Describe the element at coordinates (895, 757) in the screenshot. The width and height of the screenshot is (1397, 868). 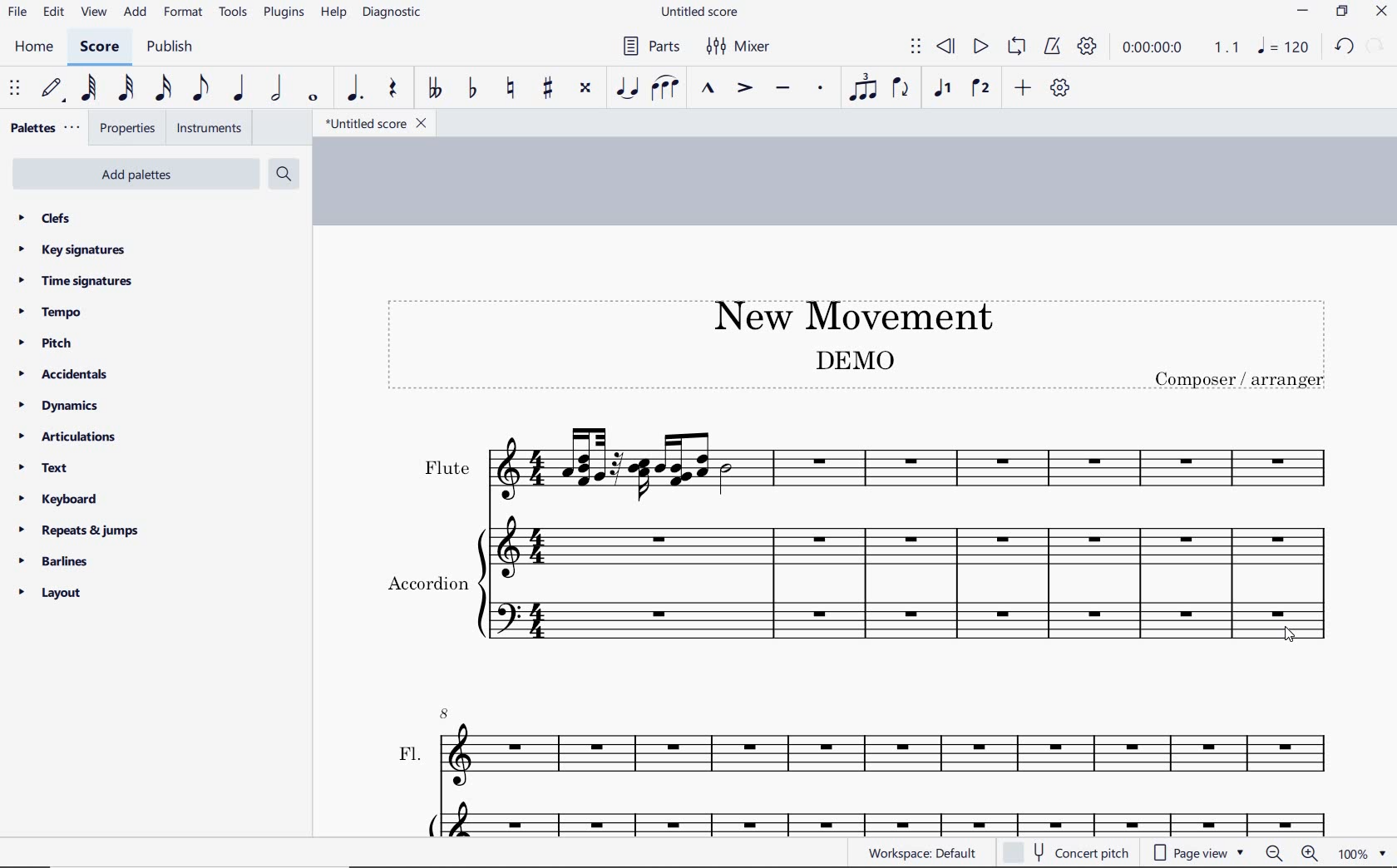
I see `FL` at that location.